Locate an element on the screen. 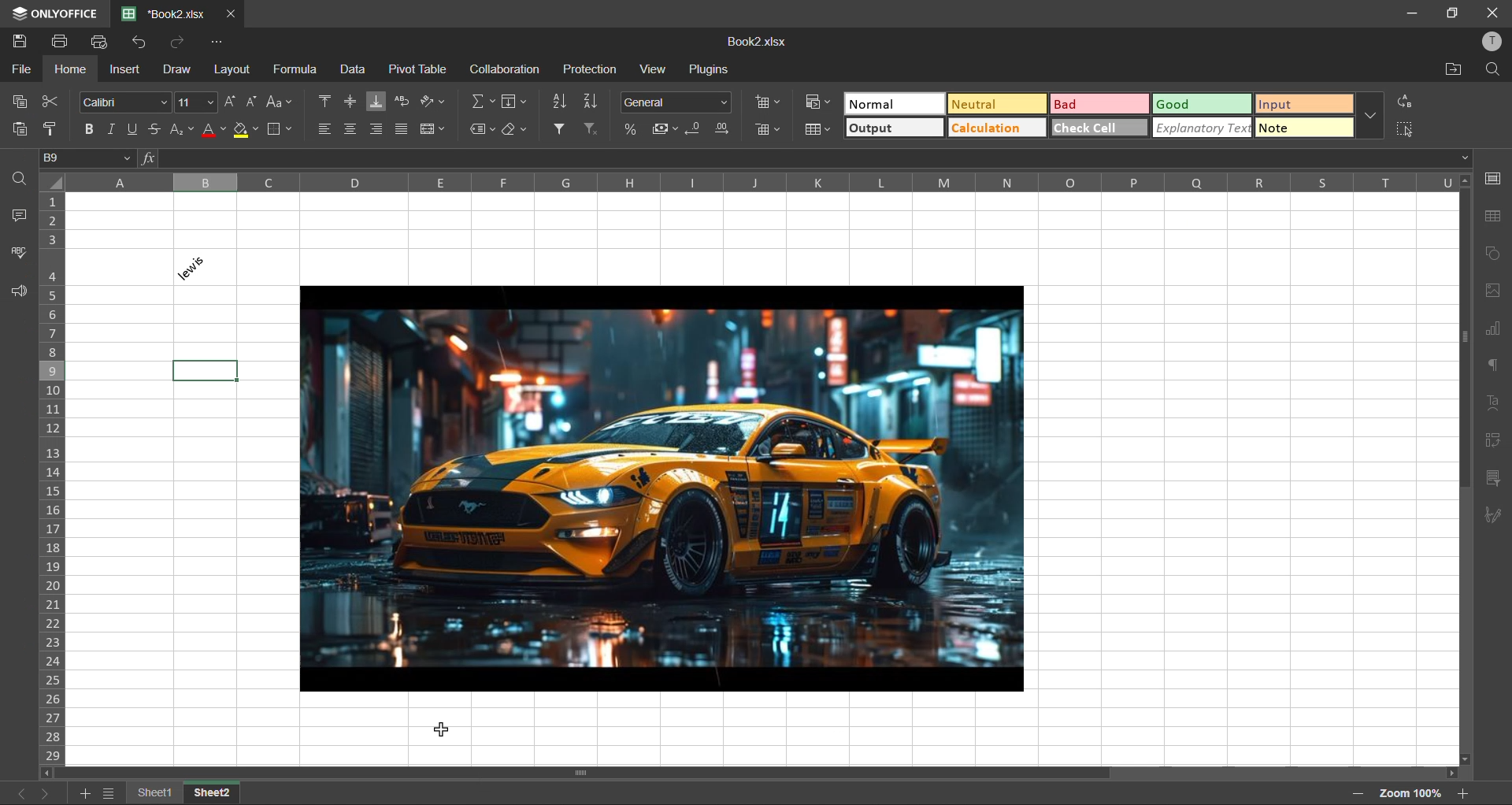 This screenshot has height=805, width=1512. increase decimal is located at coordinates (724, 129).